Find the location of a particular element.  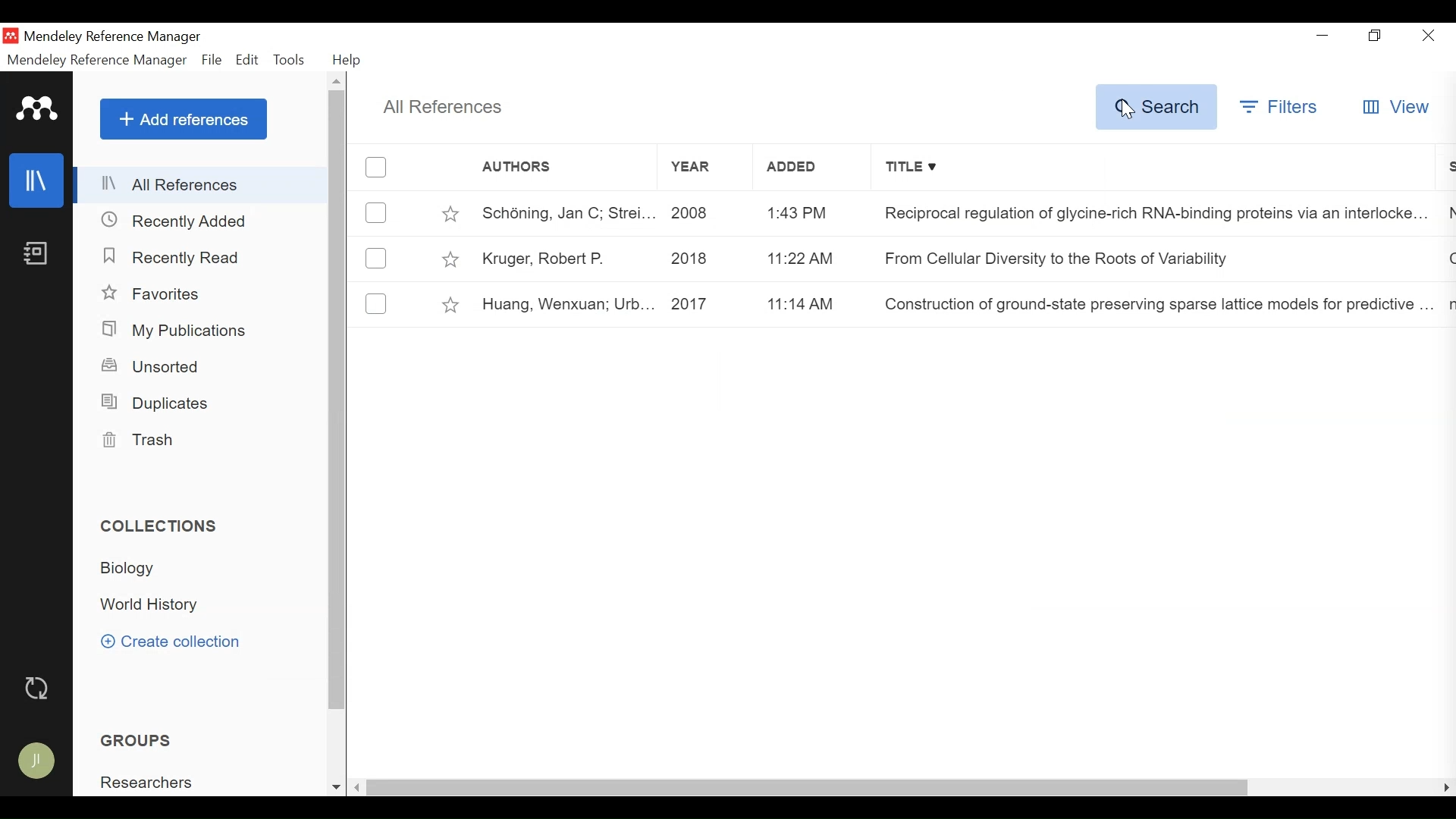

Favorites is located at coordinates (154, 294).